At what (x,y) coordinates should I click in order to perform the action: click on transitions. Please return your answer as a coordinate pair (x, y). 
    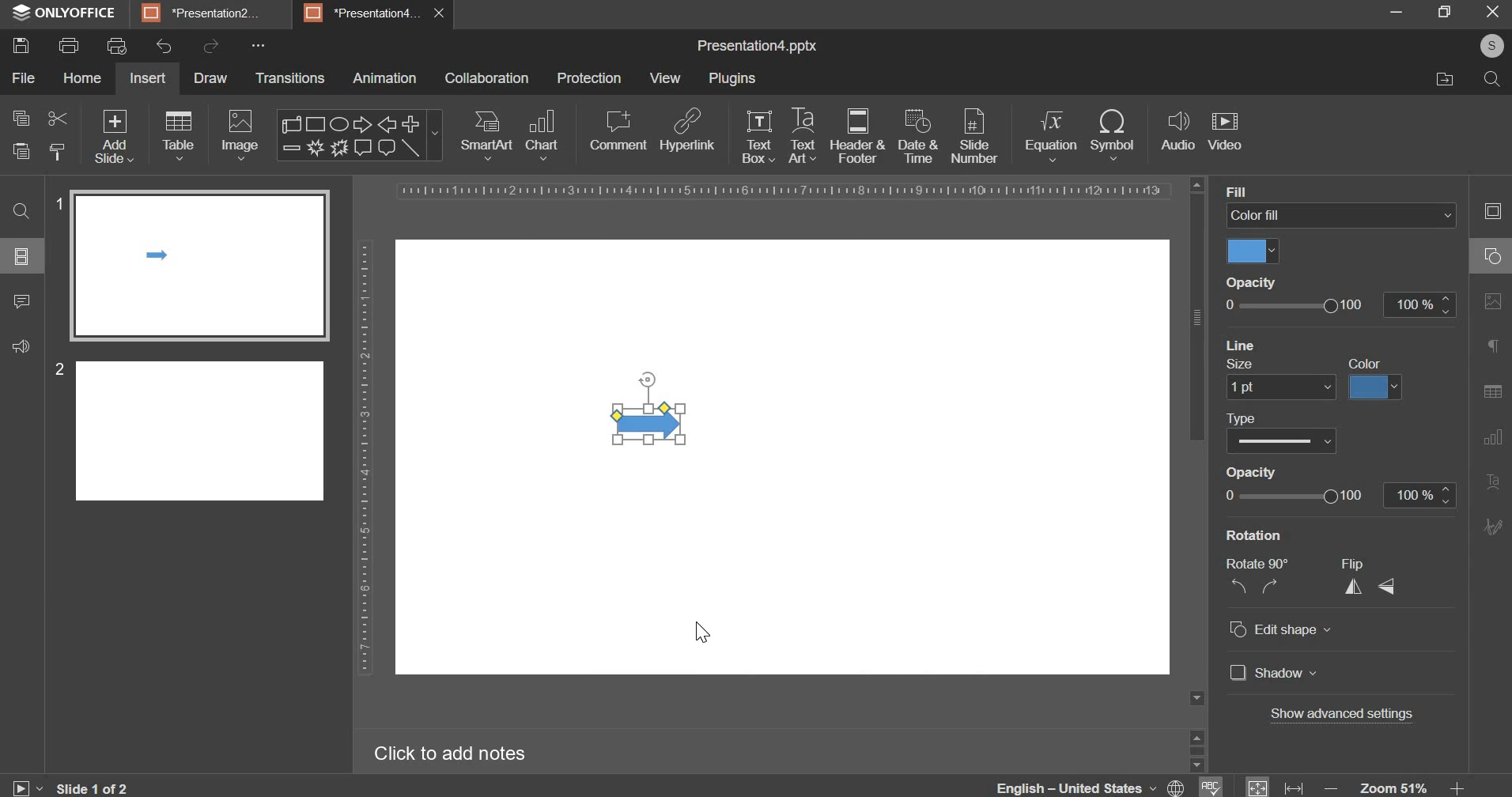
    Looking at the image, I should click on (291, 79).